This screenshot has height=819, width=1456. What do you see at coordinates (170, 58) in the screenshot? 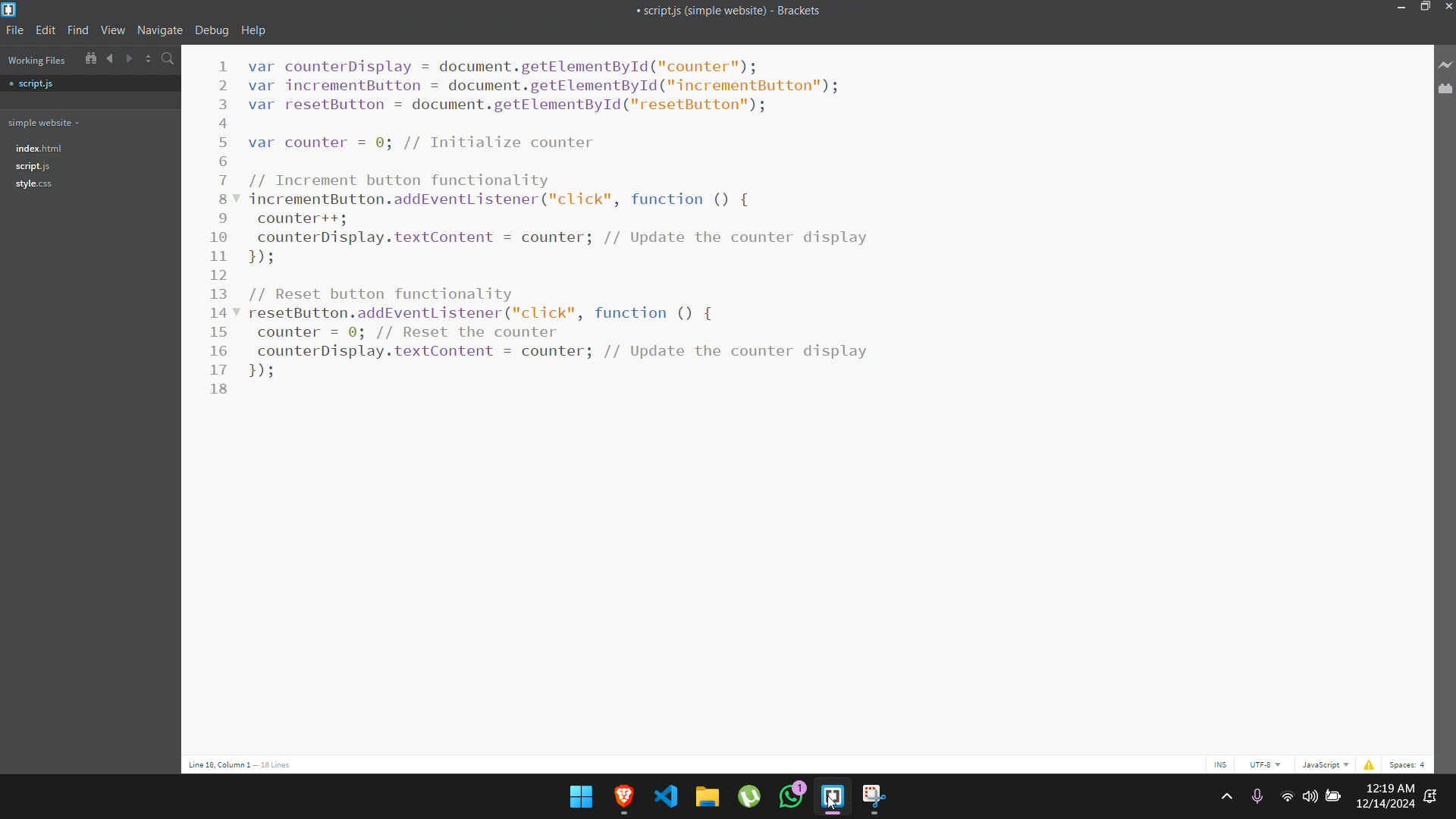
I see `search` at bounding box center [170, 58].